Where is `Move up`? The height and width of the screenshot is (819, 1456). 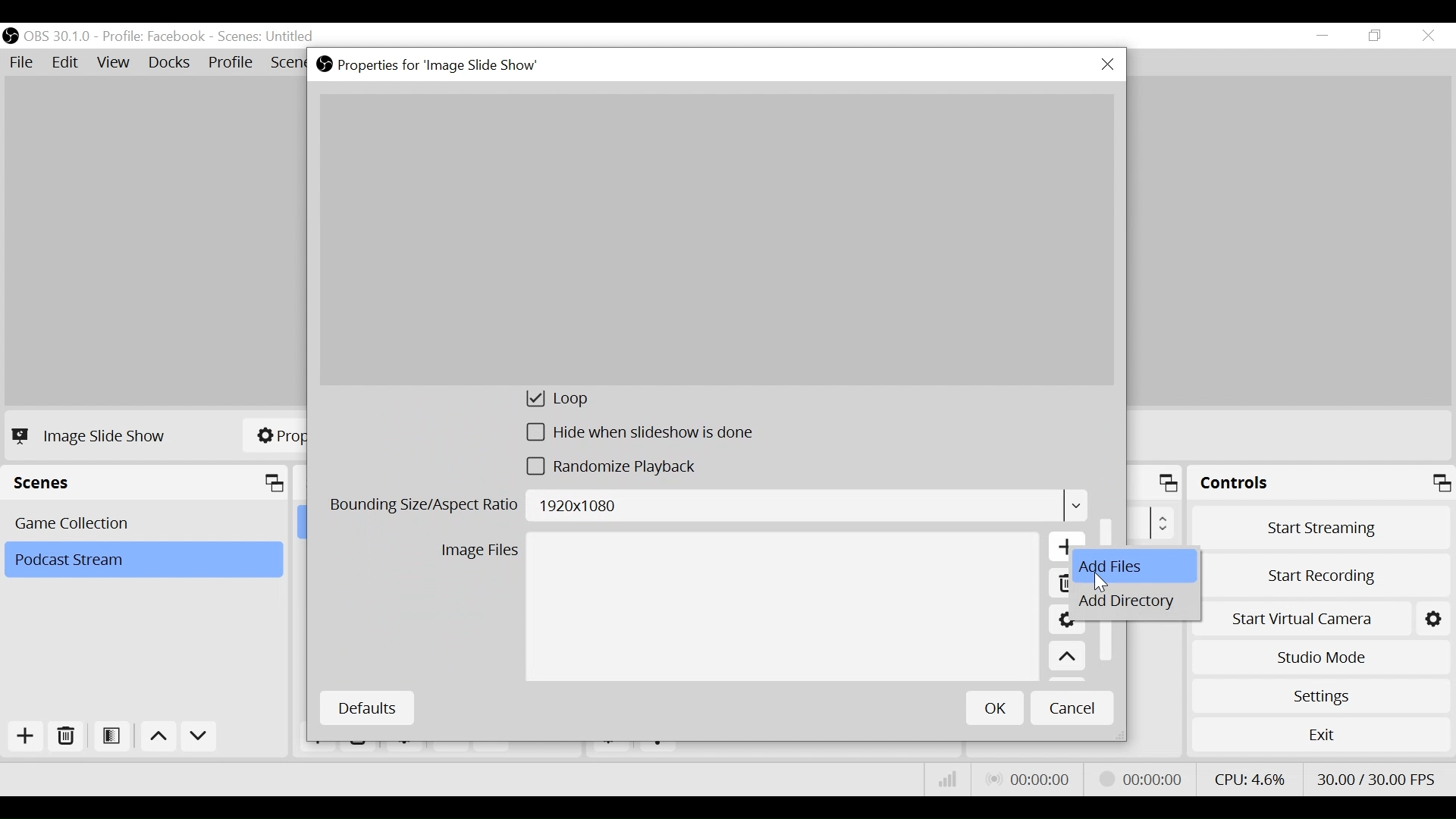
Move up is located at coordinates (1067, 657).